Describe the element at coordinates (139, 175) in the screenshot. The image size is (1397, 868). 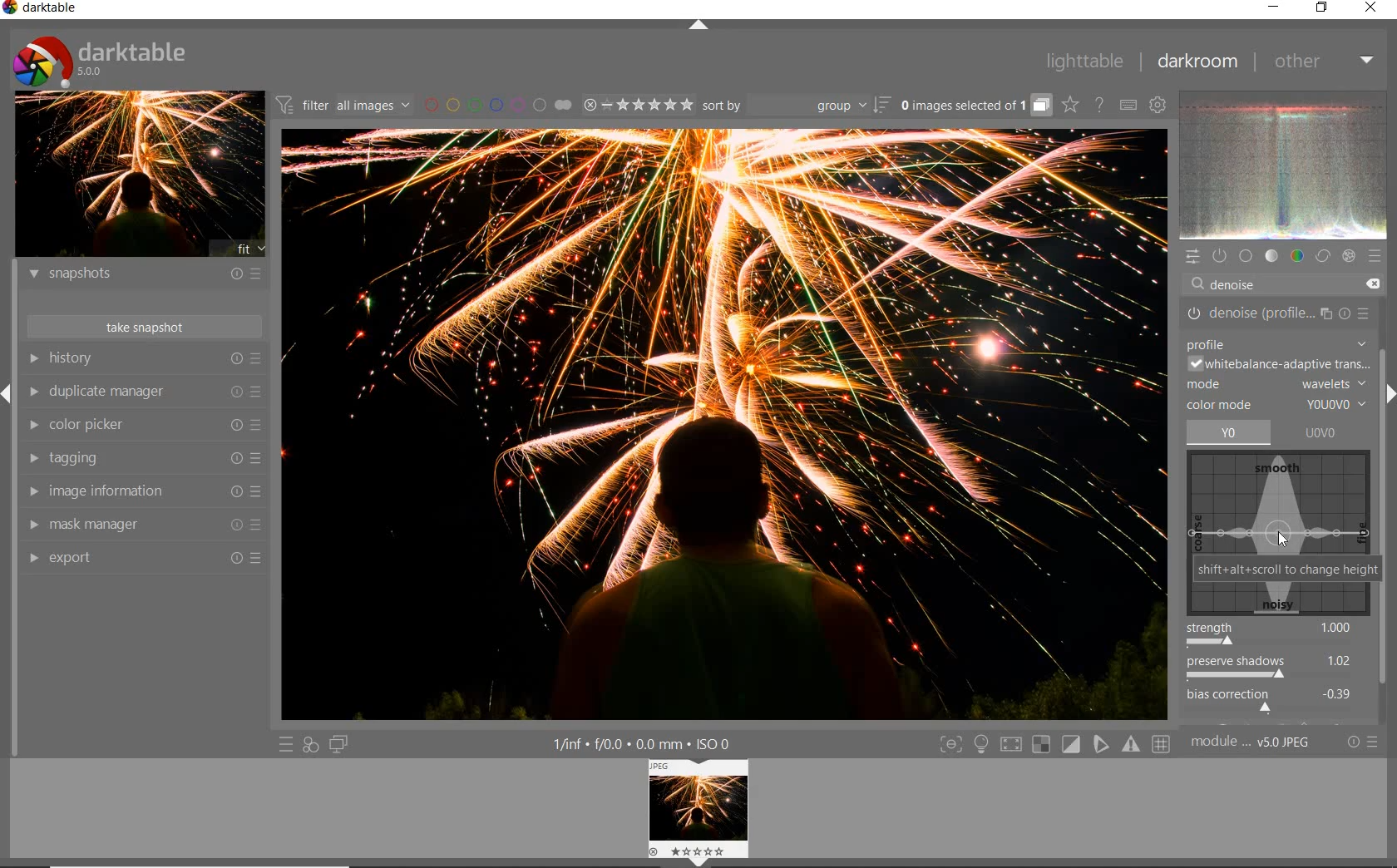
I see `image preview` at that location.